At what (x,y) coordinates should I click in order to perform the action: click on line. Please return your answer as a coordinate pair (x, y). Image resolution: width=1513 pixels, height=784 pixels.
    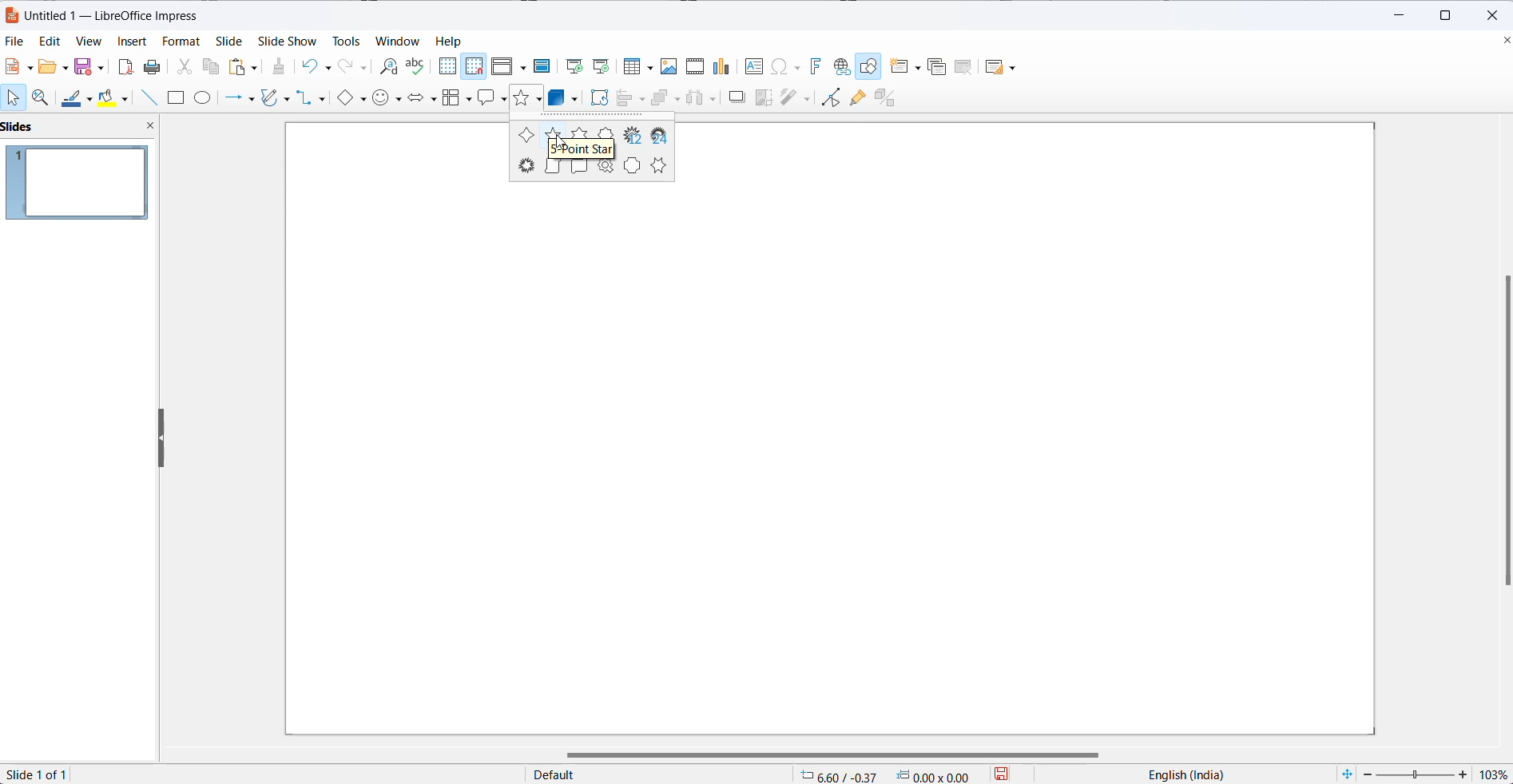
    Looking at the image, I should click on (153, 97).